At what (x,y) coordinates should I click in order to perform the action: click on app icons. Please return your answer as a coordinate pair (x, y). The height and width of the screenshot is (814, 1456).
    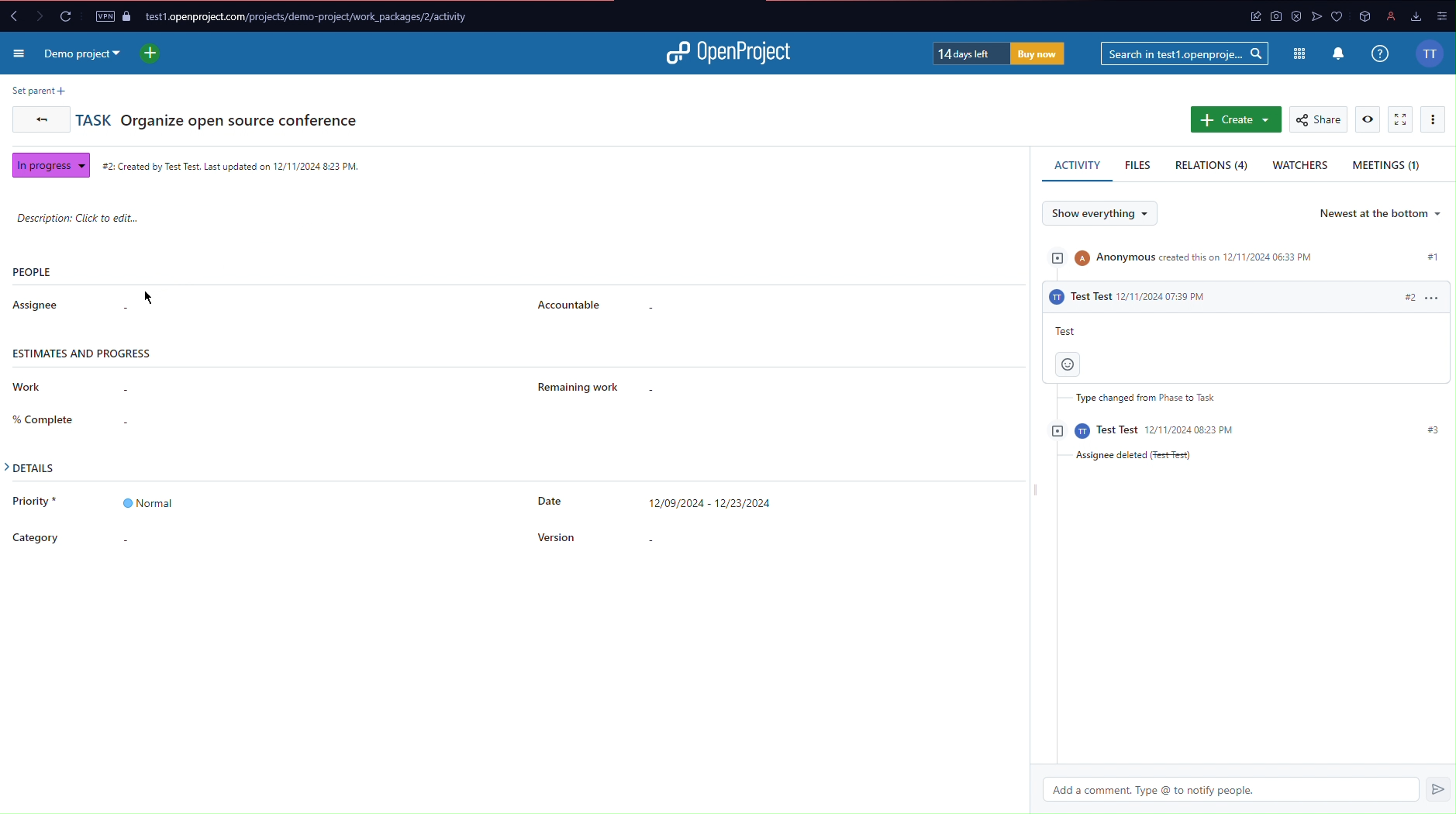
    Looking at the image, I should click on (1337, 16).